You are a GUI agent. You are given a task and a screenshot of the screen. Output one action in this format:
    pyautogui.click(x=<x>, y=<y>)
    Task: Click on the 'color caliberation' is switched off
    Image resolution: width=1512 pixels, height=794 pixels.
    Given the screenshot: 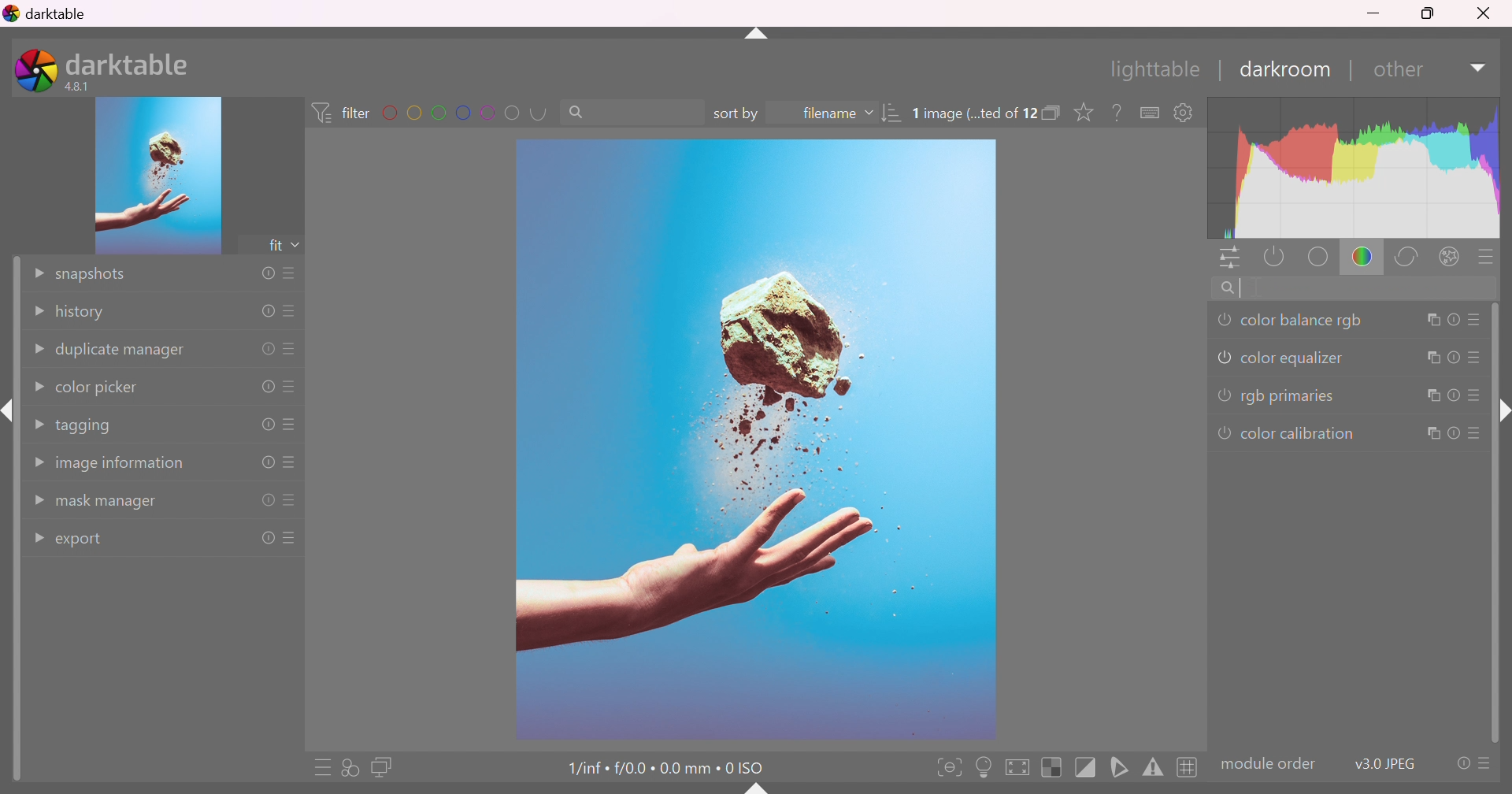 What is the action you would take?
    pyautogui.click(x=1223, y=432)
    